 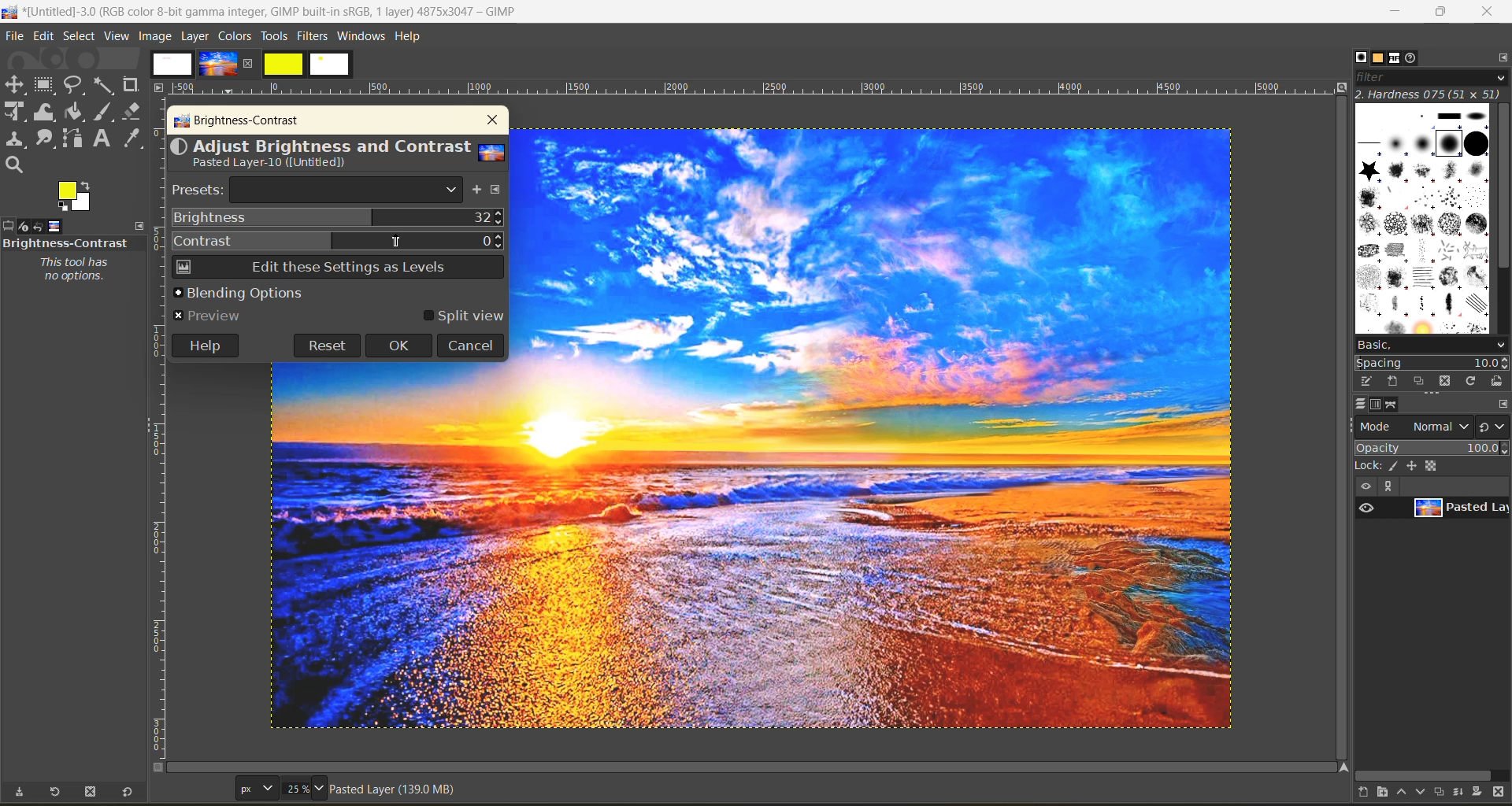 I want to click on configure this tab, so click(x=1503, y=405).